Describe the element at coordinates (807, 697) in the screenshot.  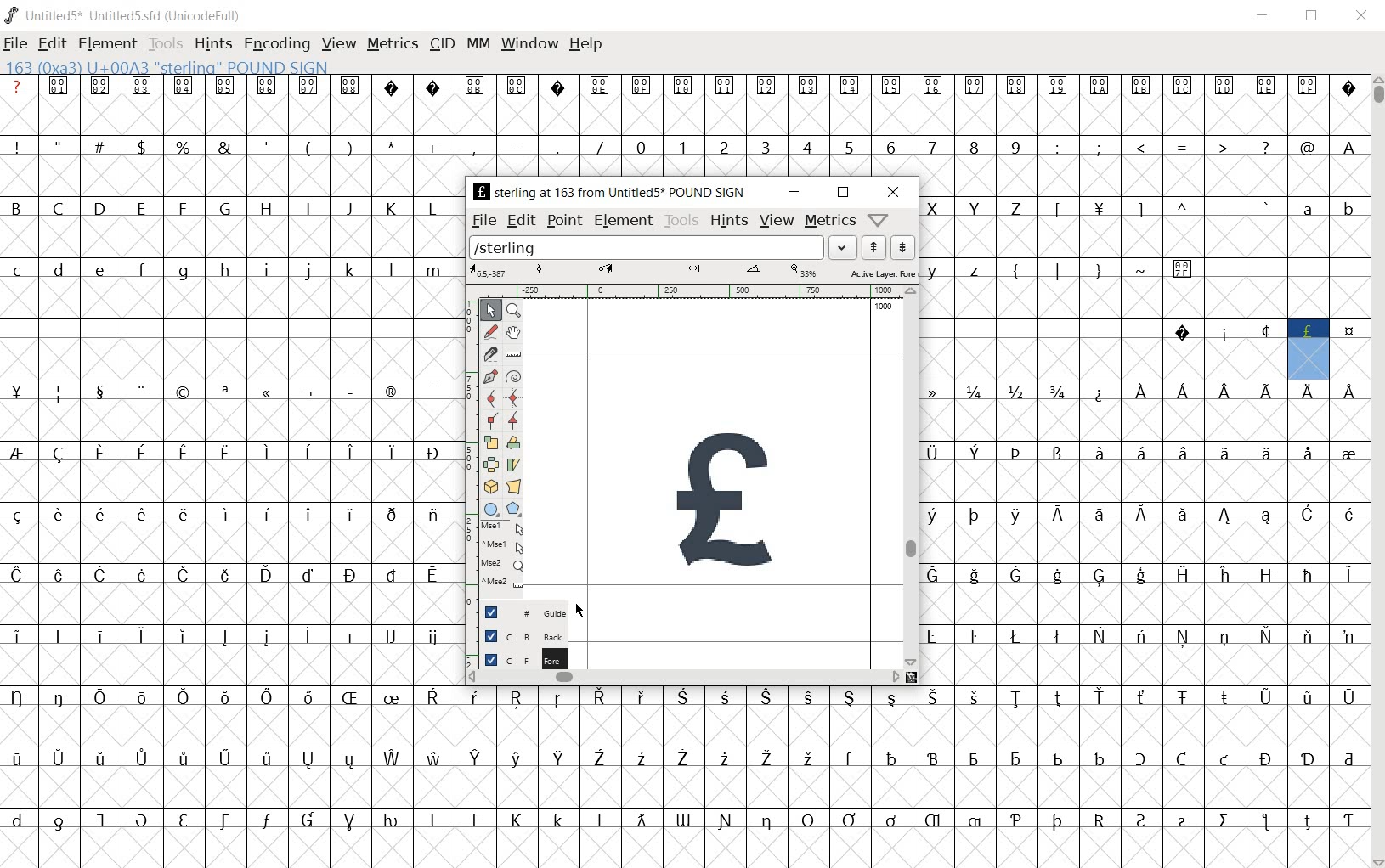
I see `Symbol` at that location.